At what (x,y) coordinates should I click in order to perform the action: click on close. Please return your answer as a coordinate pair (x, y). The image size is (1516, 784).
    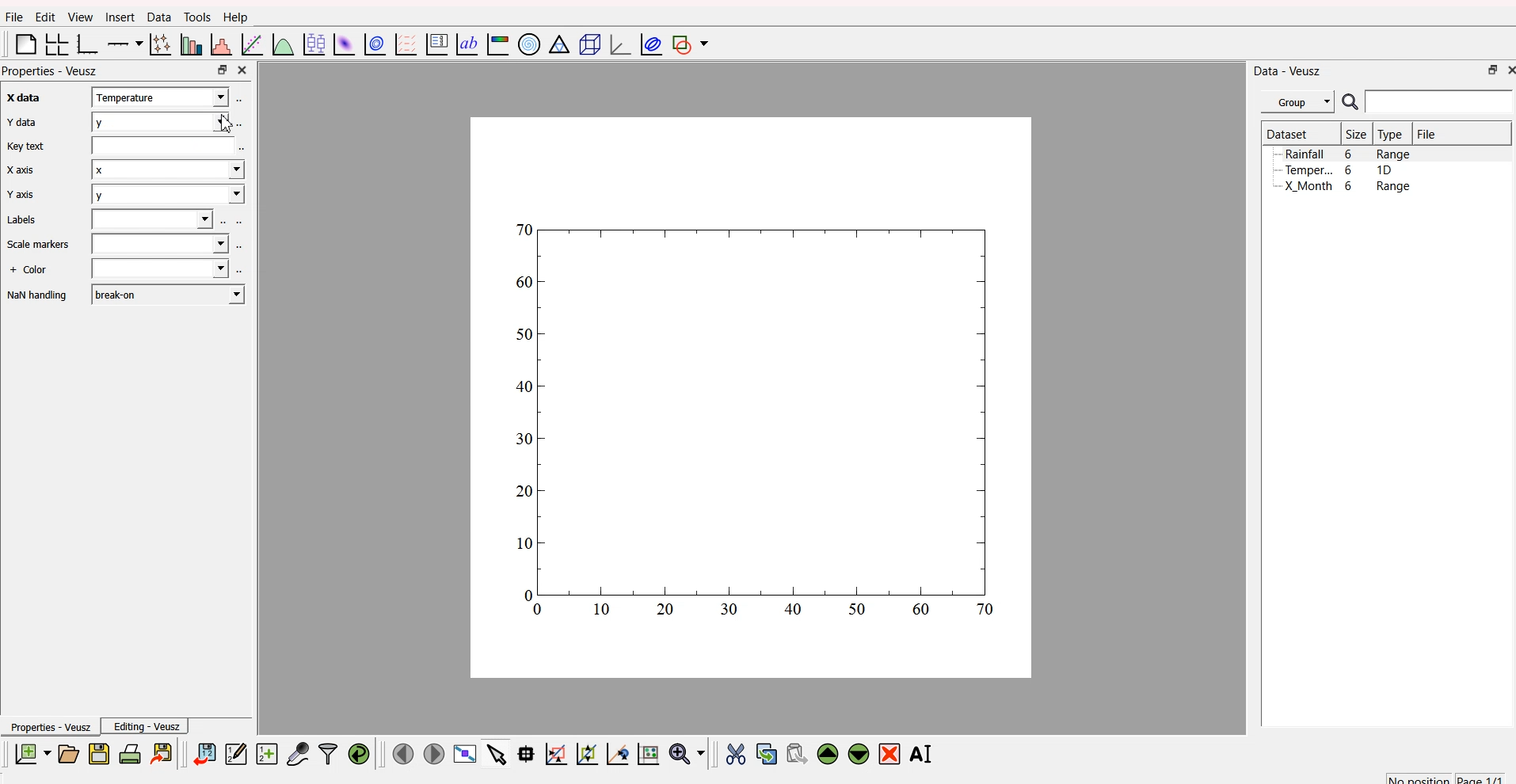
    Looking at the image, I should click on (245, 70).